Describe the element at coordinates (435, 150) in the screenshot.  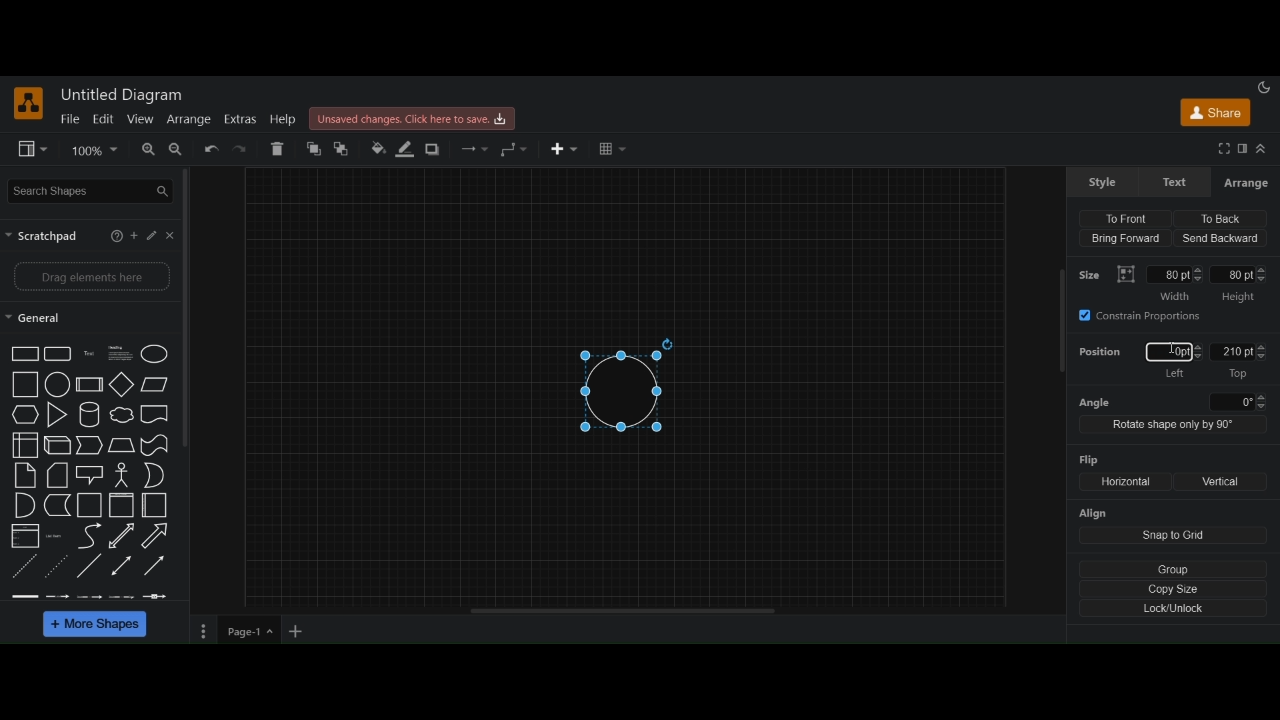
I see `shadow` at that location.